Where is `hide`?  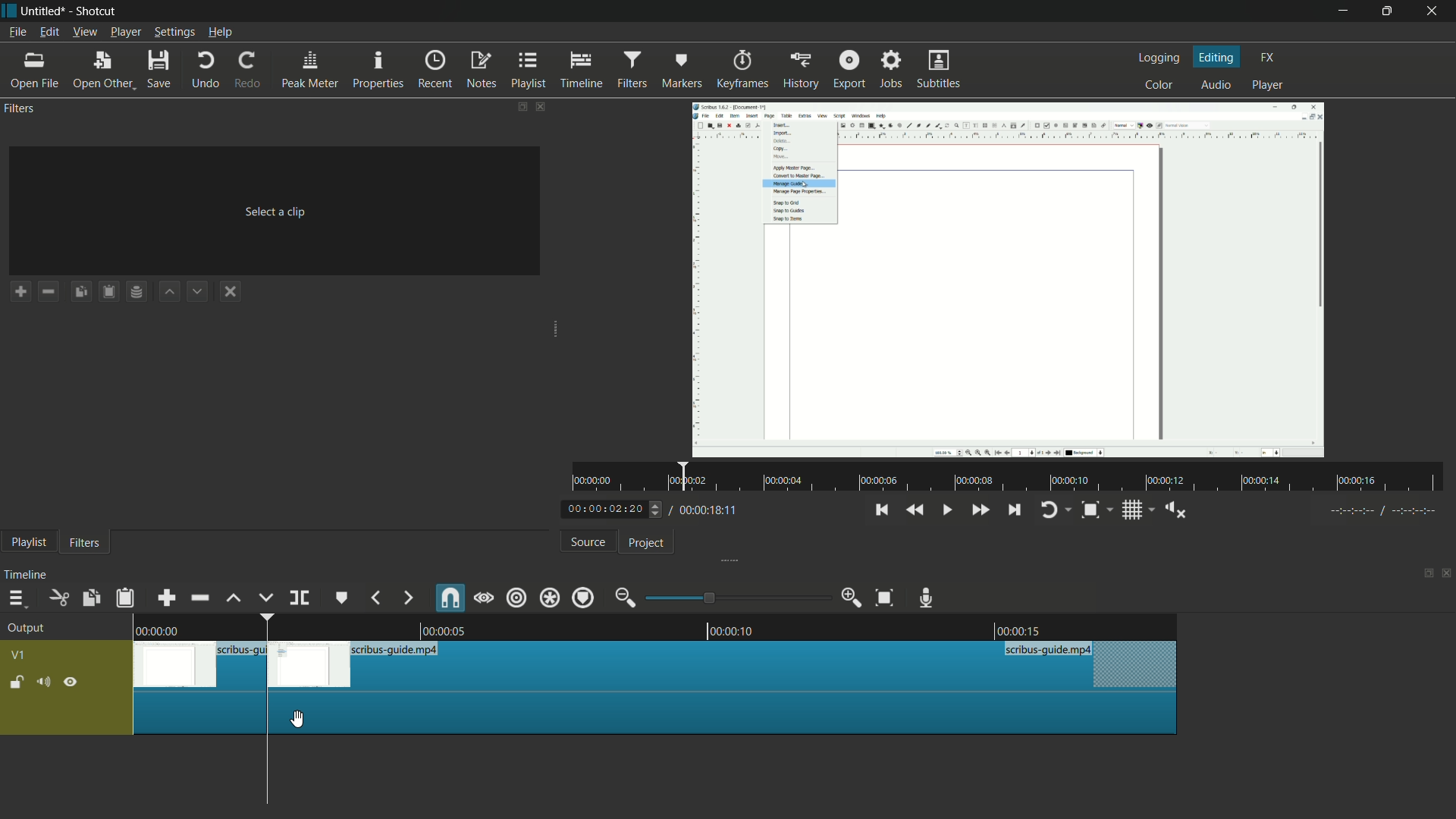
hide is located at coordinates (71, 683).